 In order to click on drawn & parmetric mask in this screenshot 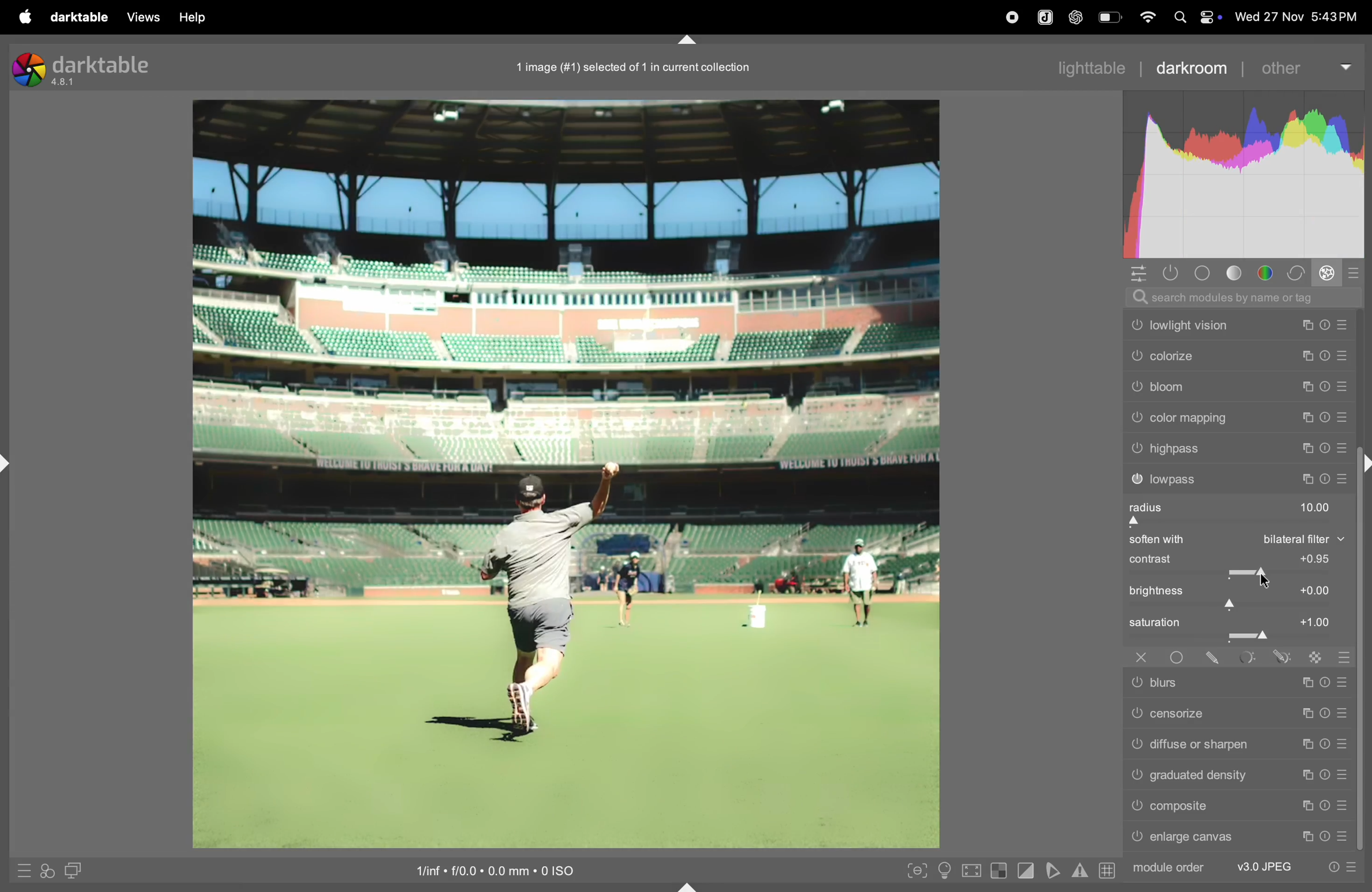, I will do `click(1284, 657)`.